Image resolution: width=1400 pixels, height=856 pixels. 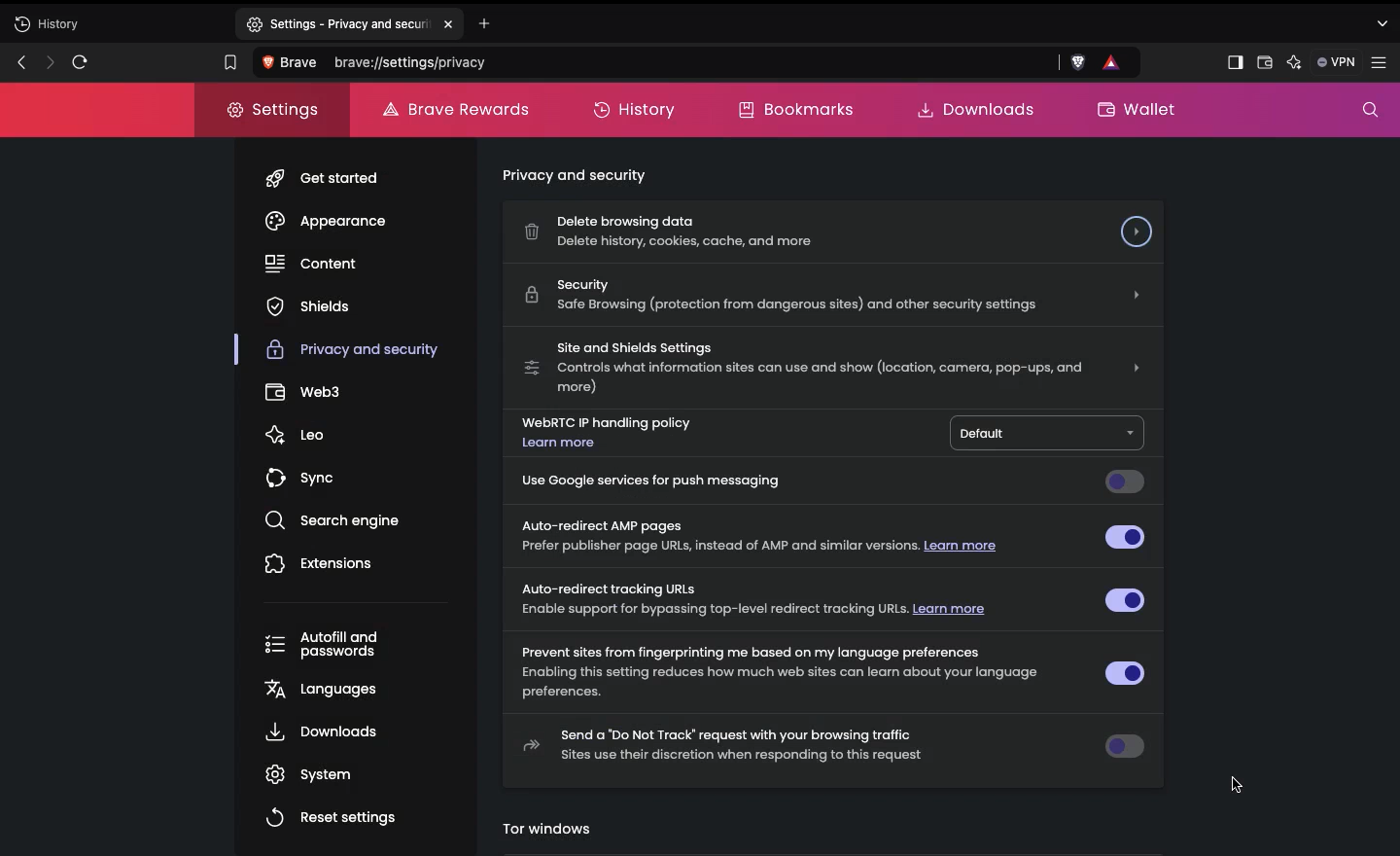 What do you see at coordinates (308, 266) in the screenshot?
I see `Content` at bounding box center [308, 266].